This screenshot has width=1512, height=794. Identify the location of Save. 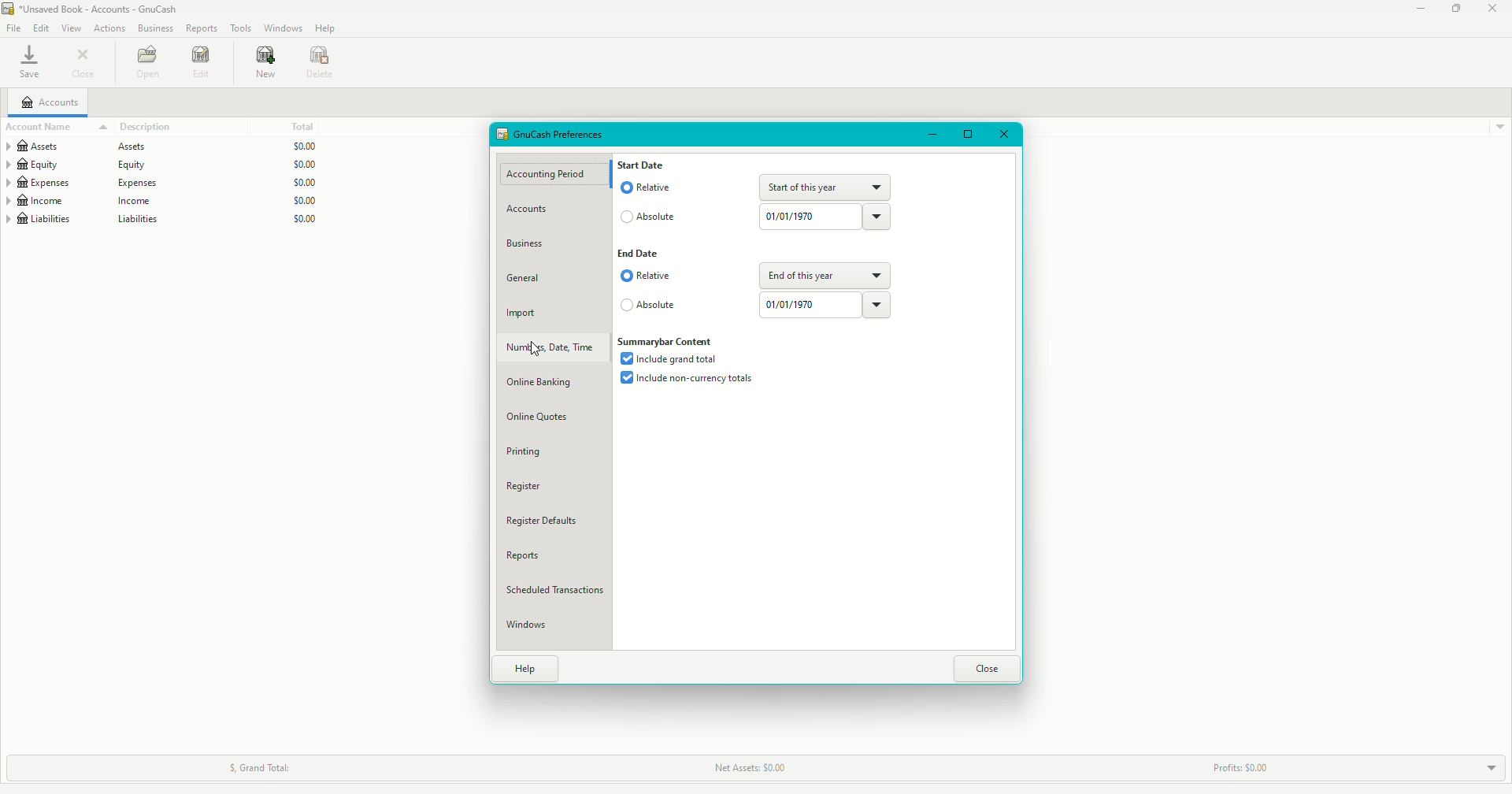
(28, 65).